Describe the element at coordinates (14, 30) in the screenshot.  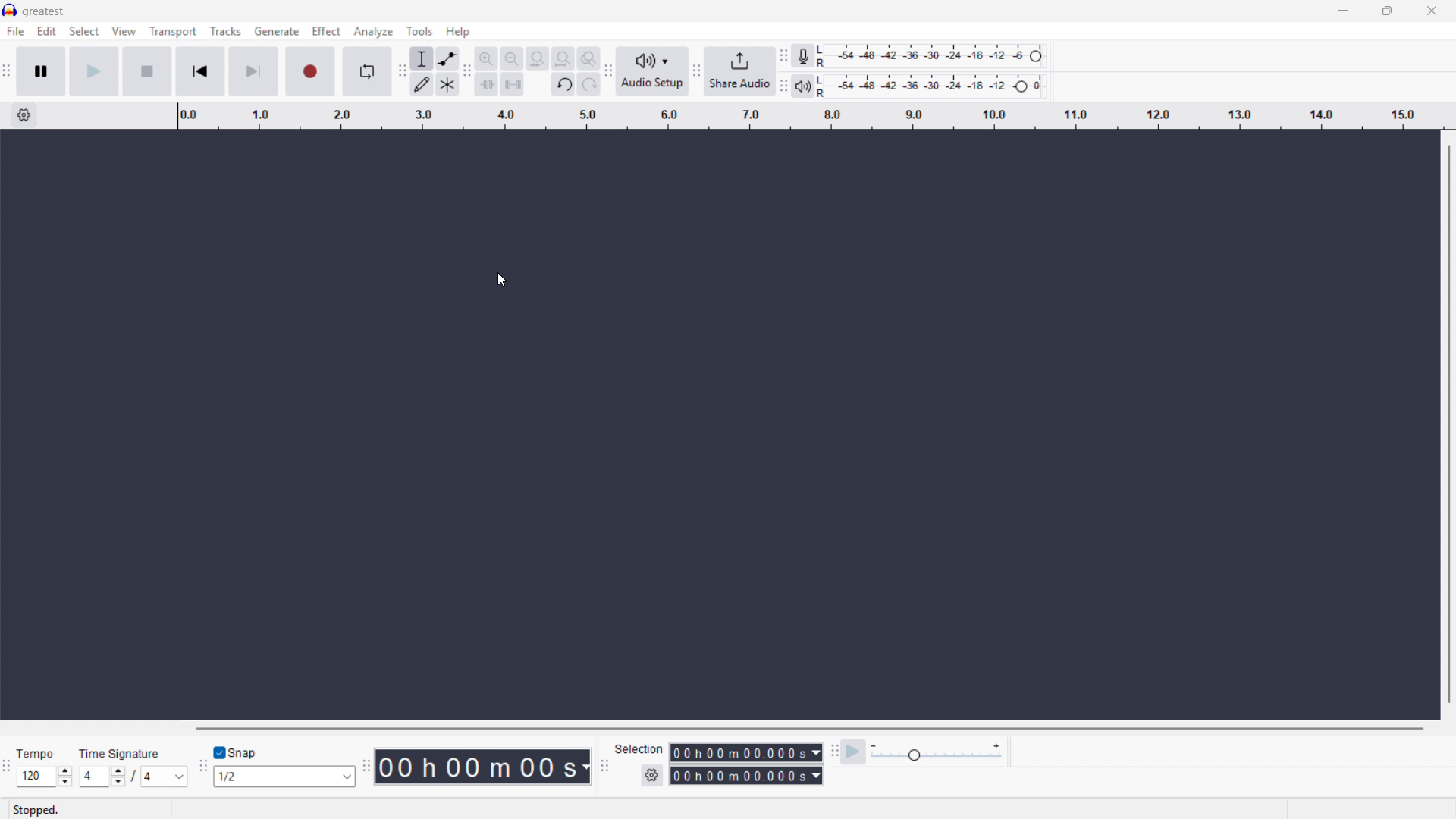
I see `` at that location.